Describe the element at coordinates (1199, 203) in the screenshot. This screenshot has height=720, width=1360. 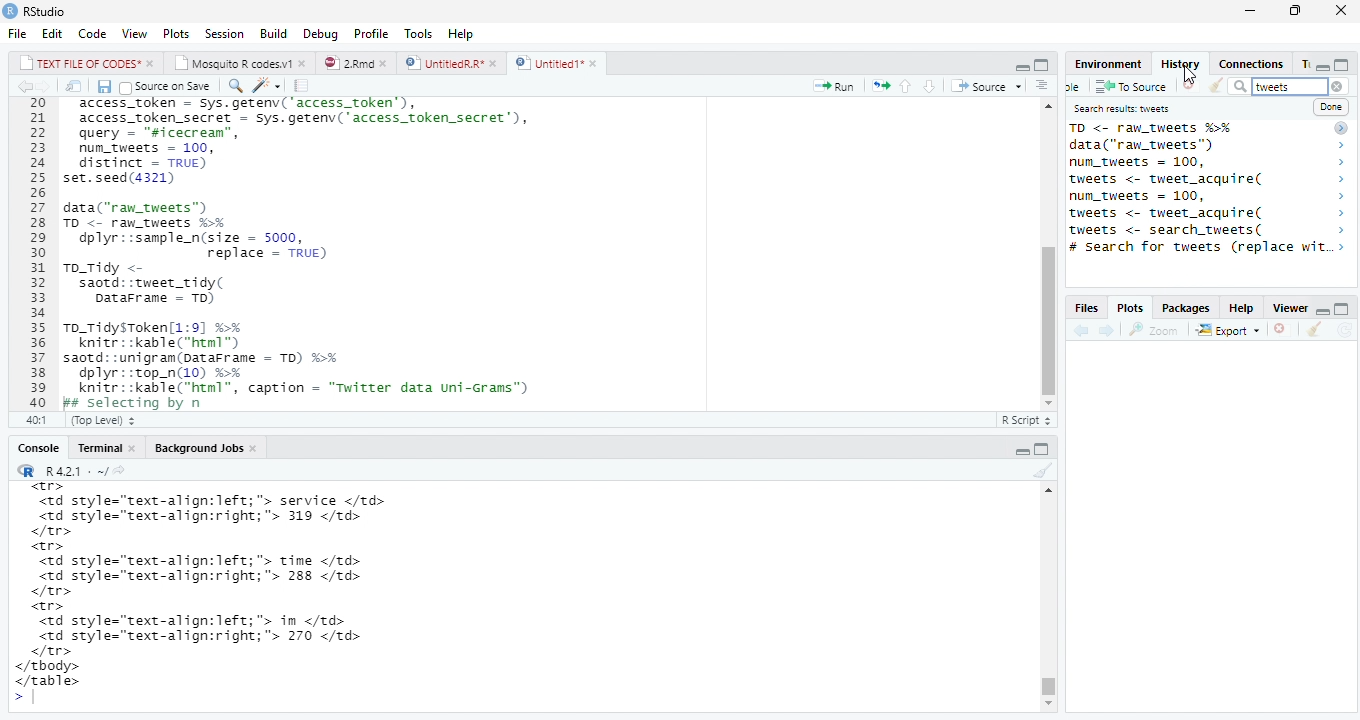
I see `saotd: :tweet_tidy( 2
TO <- raw_tweets %% >
data("ran_tweets") >
num_tweets = 100, >
tweets <- tweet_acquire( >
num_tweets = 100, >
tweets <- tweet_acquire( >
tweets <- search_tweets( >
# Search for tweets (replace w..>
14brarvirtweet) >` at that location.